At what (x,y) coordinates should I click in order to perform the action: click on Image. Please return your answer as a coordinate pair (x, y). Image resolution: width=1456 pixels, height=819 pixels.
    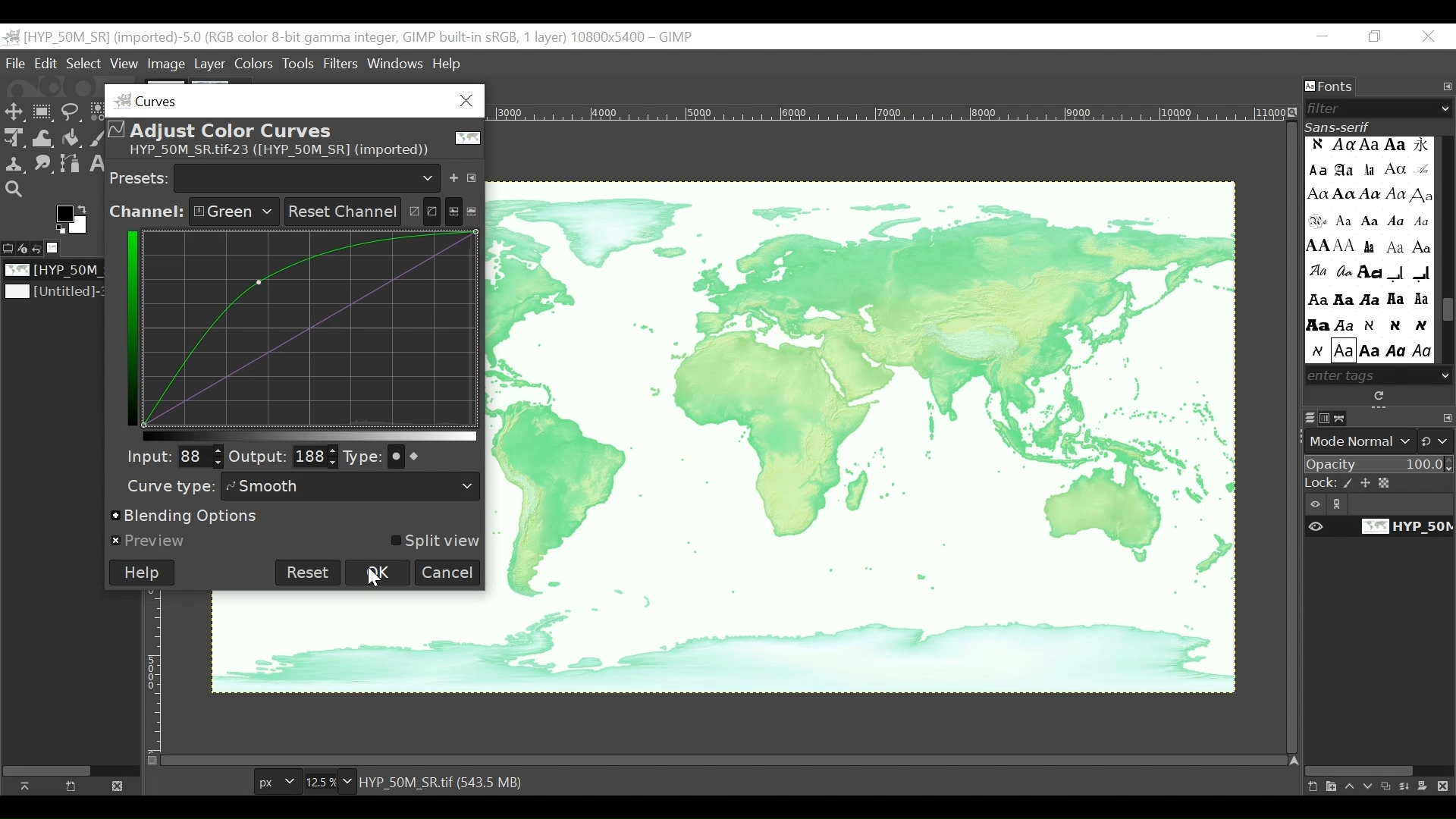
    Looking at the image, I should click on (862, 438).